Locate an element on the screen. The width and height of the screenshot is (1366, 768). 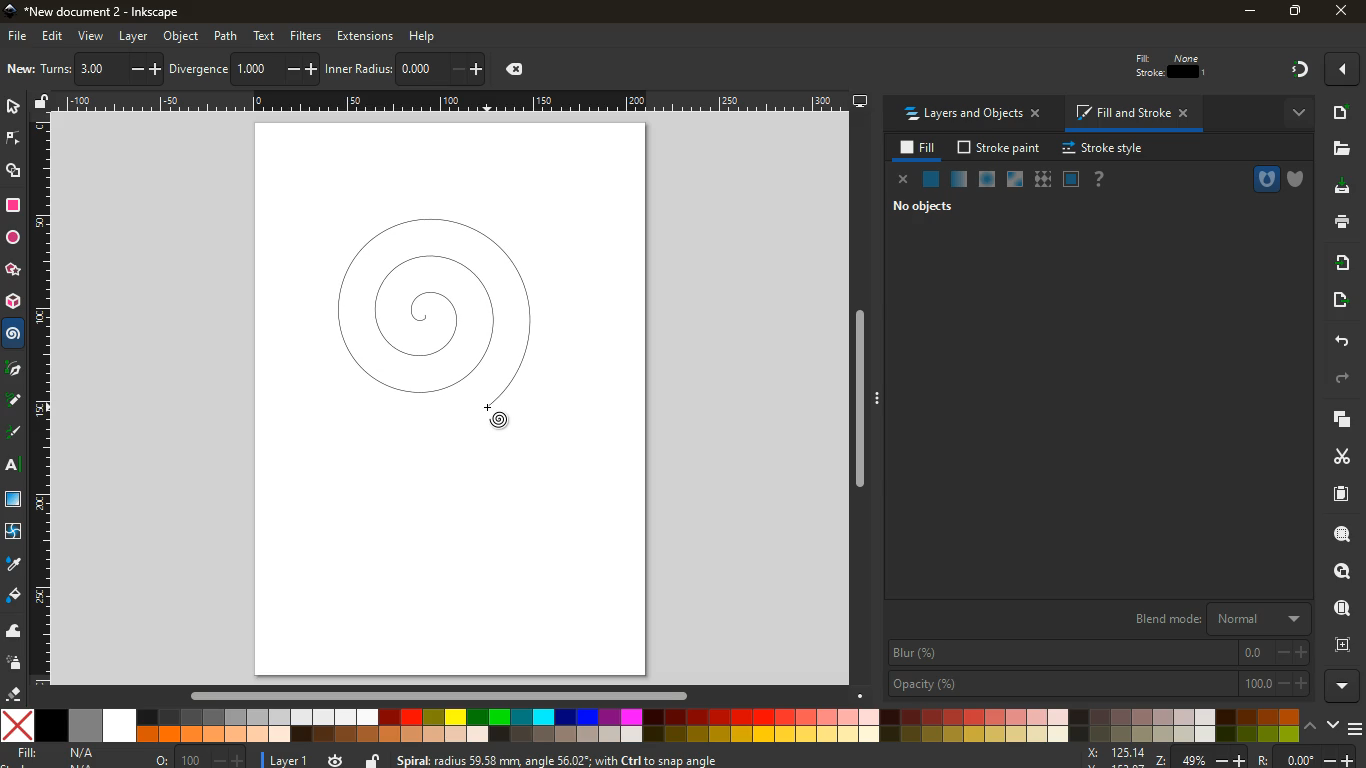
select is located at coordinates (146, 71).